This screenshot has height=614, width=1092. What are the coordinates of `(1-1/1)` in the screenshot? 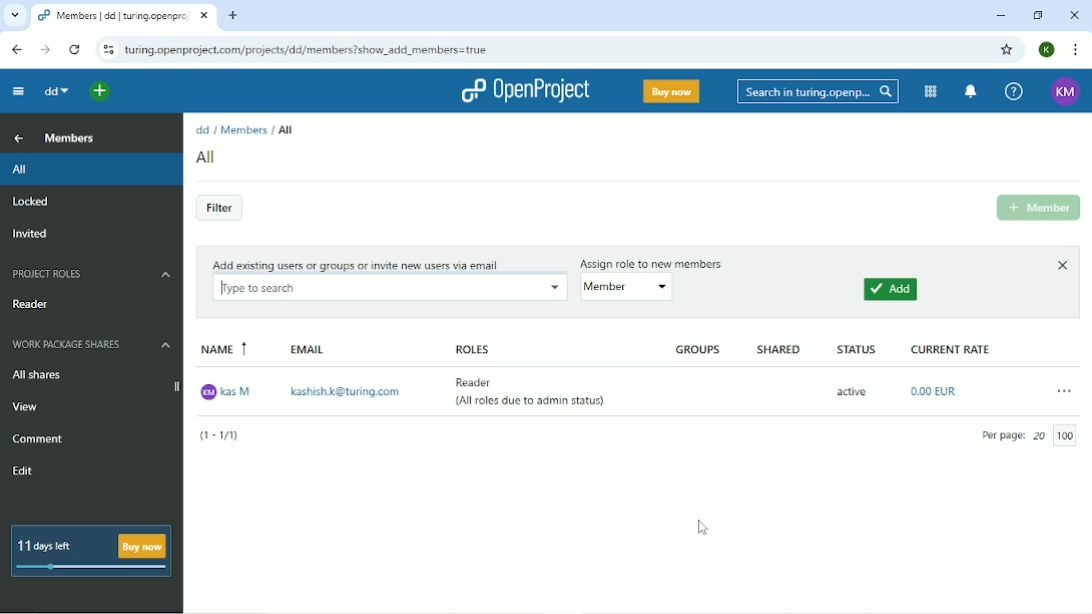 It's located at (225, 436).